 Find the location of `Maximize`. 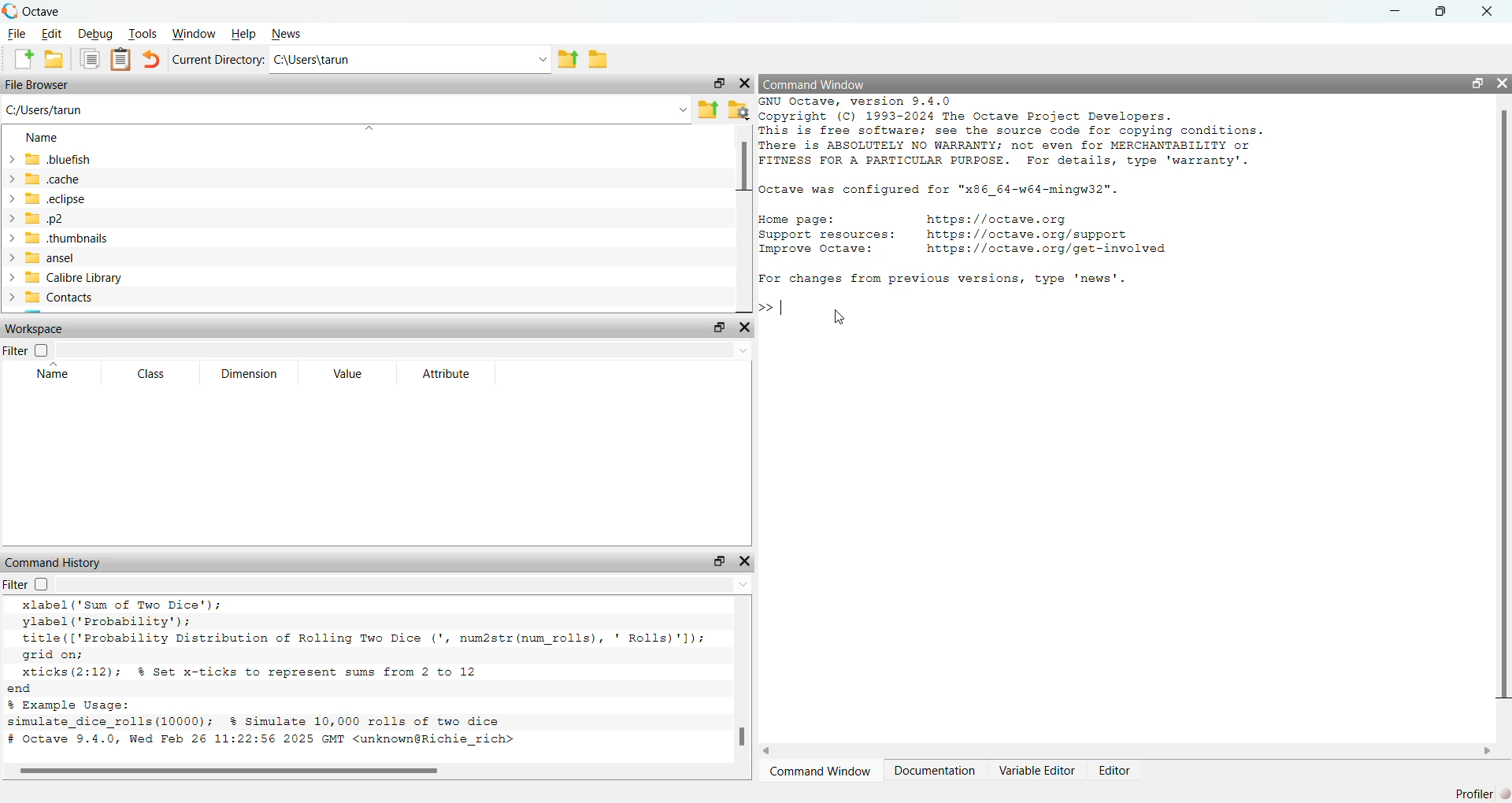

Maximize is located at coordinates (1442, 12).